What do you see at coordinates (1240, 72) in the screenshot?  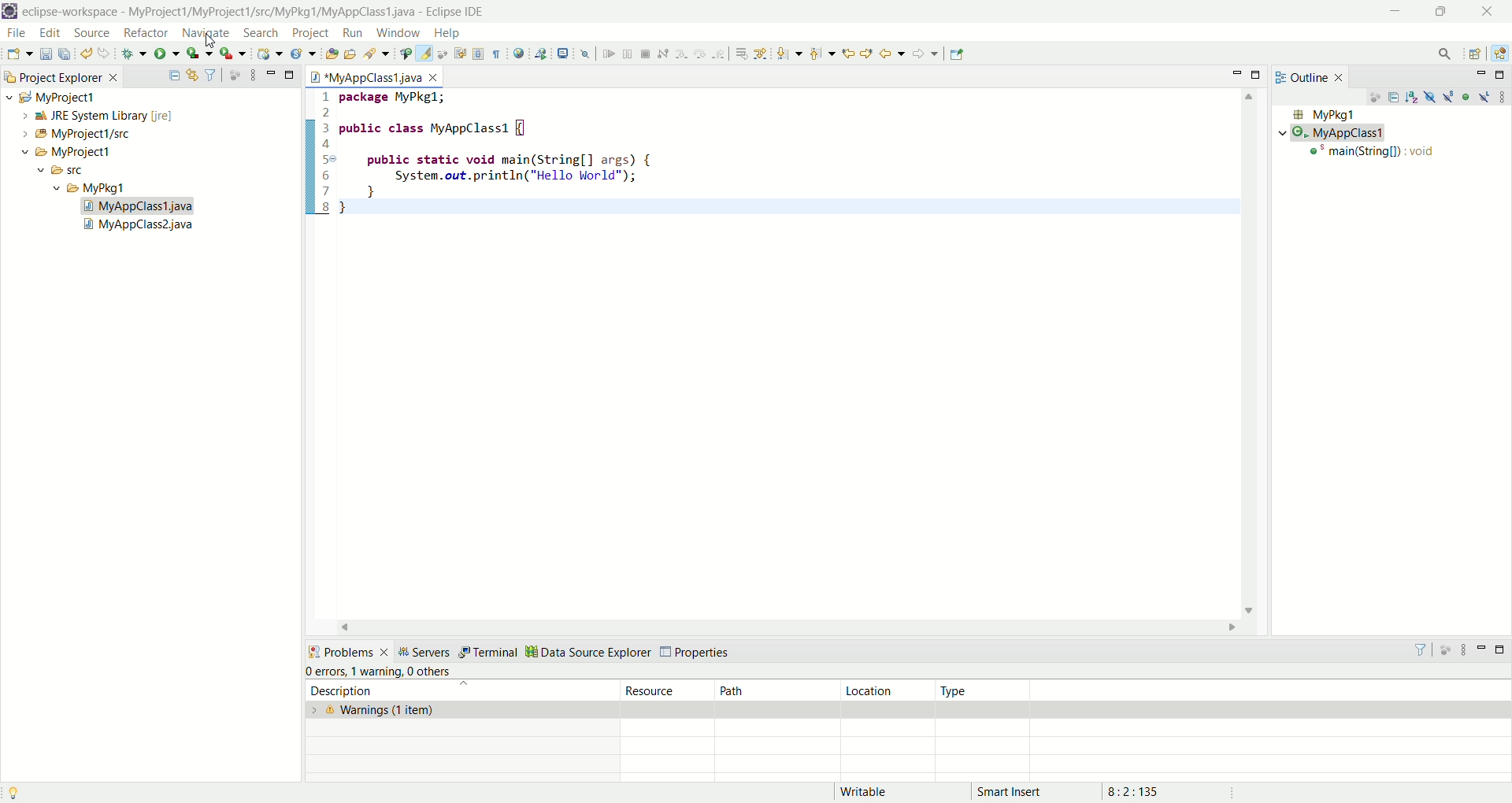 I see `minimize` at bounding box center [1240, 72].